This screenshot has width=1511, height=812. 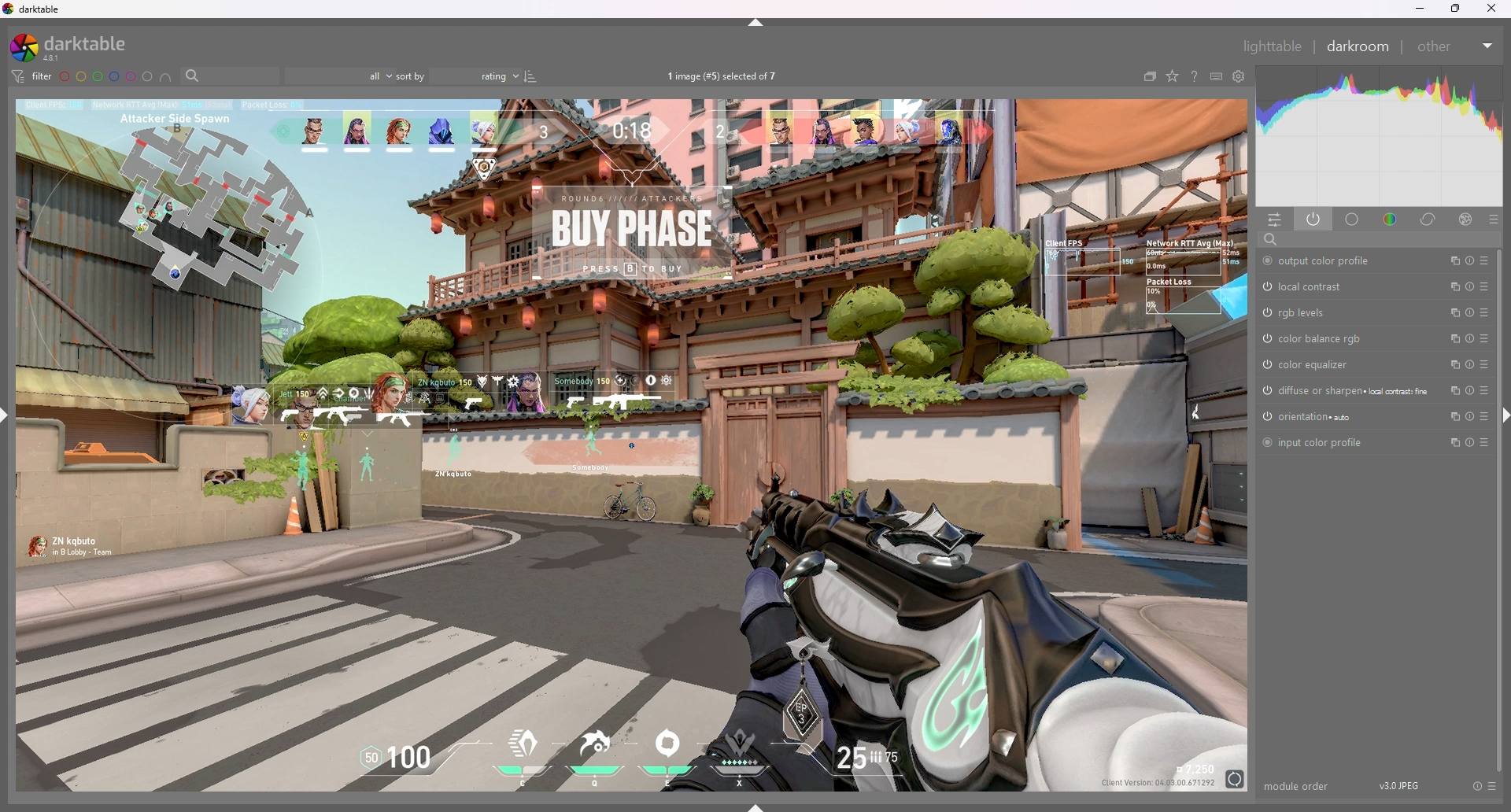 What do you see at coordinates (1469, 365) in the screenshot?
I see `reset` at bounding box center [1469, 365].